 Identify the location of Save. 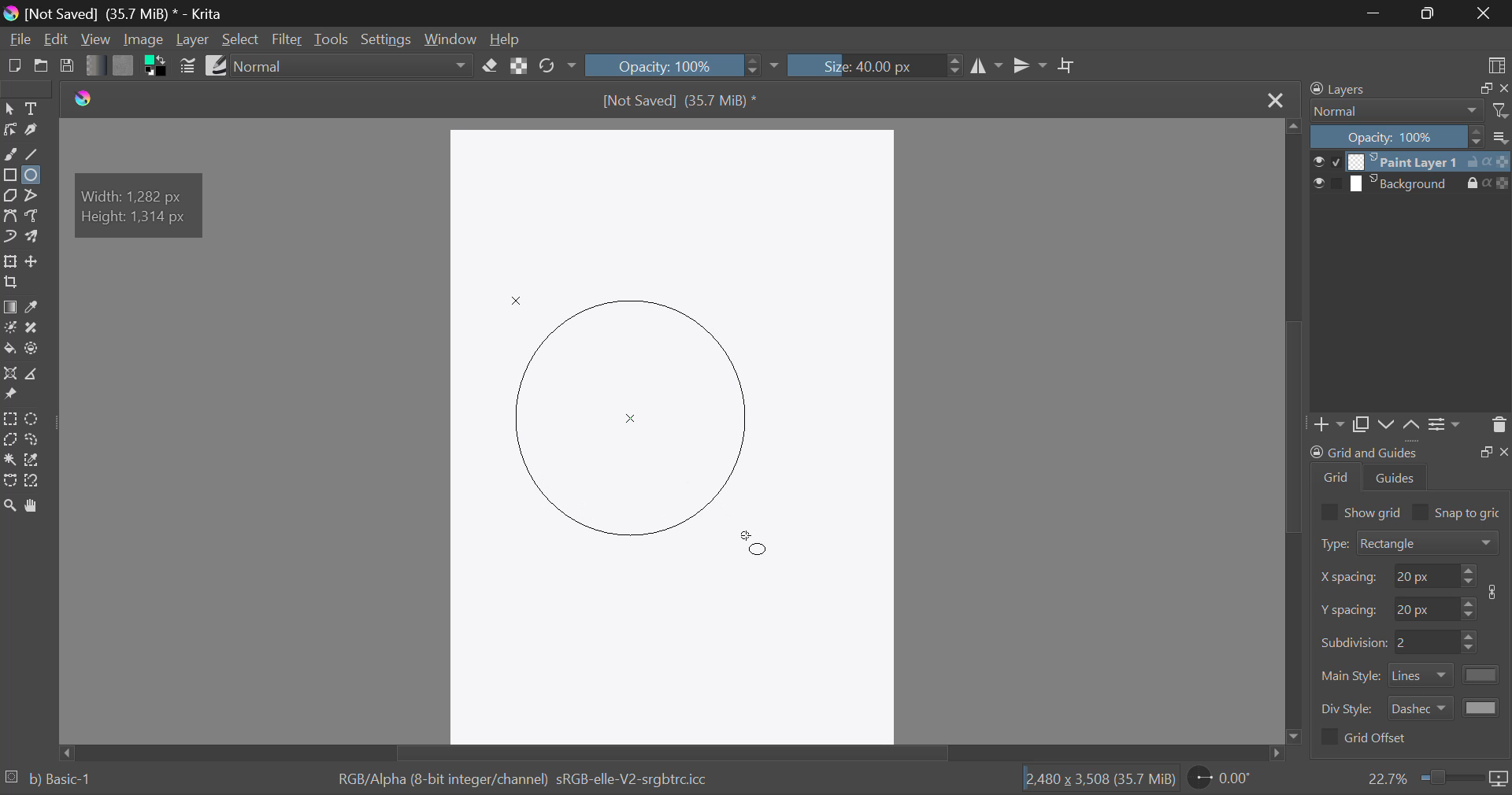
(68, 68).